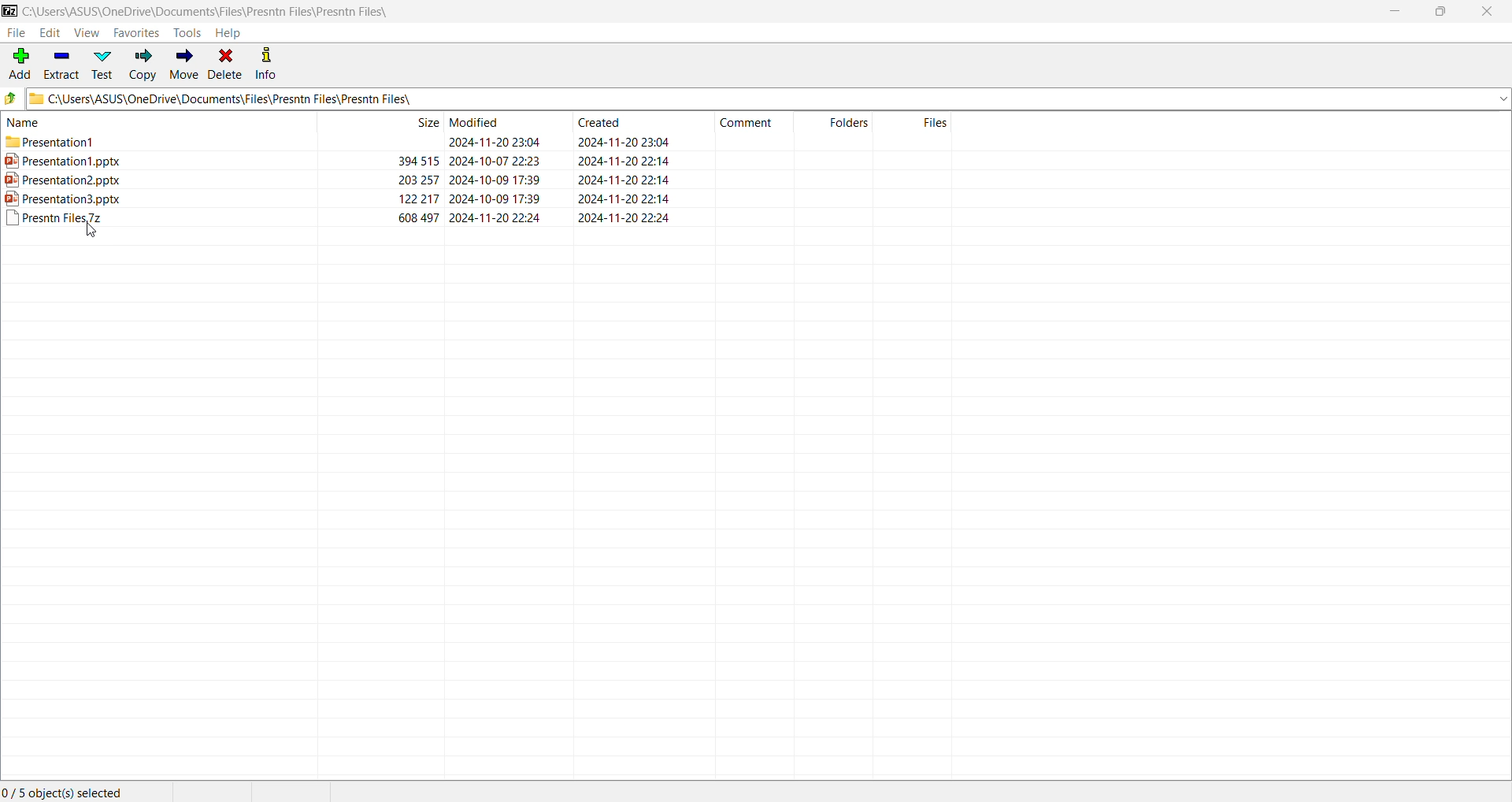  I want to click on Favorites, so click(135, 33).